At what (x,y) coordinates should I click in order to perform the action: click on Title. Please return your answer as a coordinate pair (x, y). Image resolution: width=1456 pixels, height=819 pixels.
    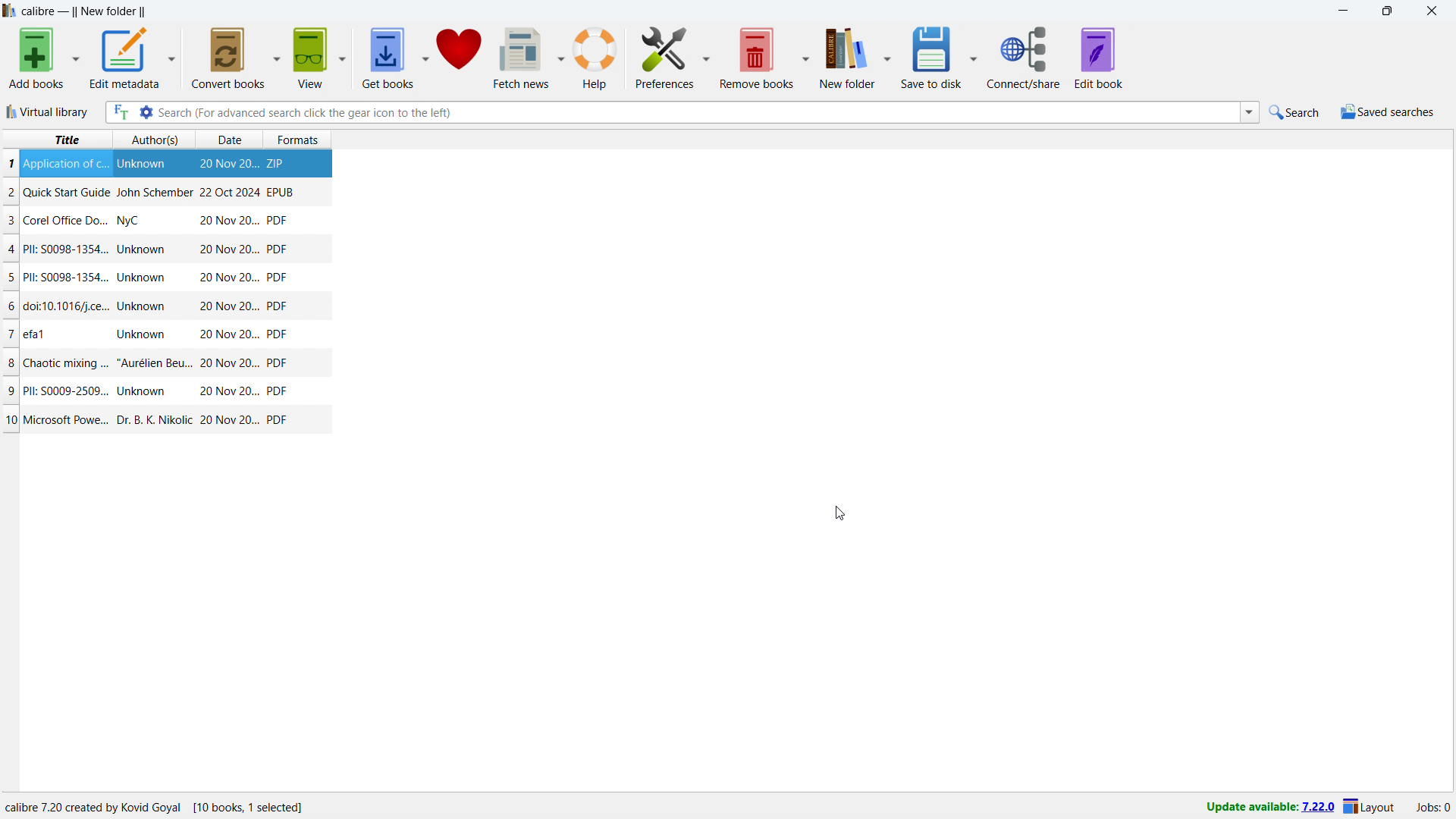
    Looking at the image, I should click on (36, 332).